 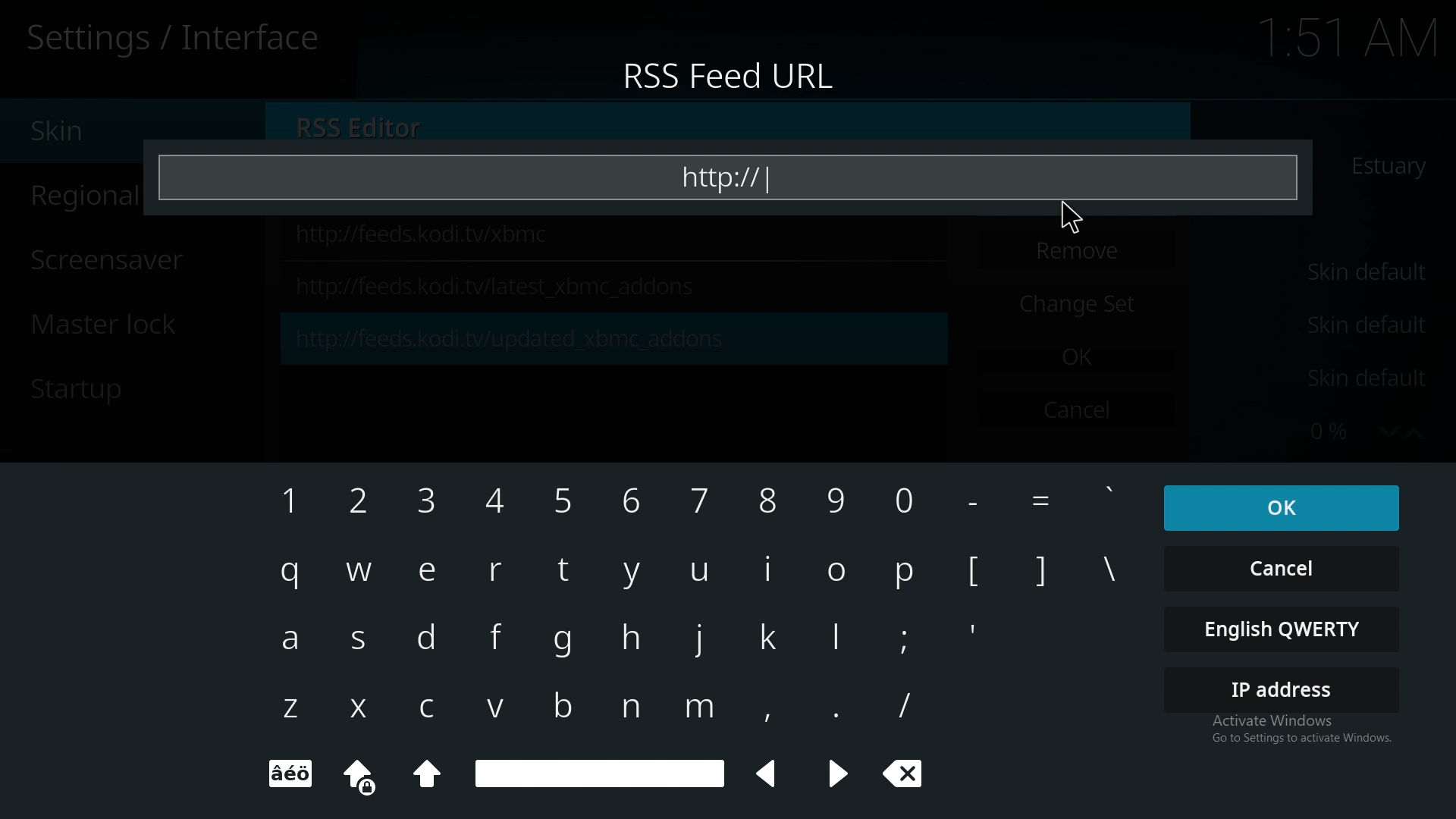 I want to click on keyboard Input, so click(x=563, y=567).